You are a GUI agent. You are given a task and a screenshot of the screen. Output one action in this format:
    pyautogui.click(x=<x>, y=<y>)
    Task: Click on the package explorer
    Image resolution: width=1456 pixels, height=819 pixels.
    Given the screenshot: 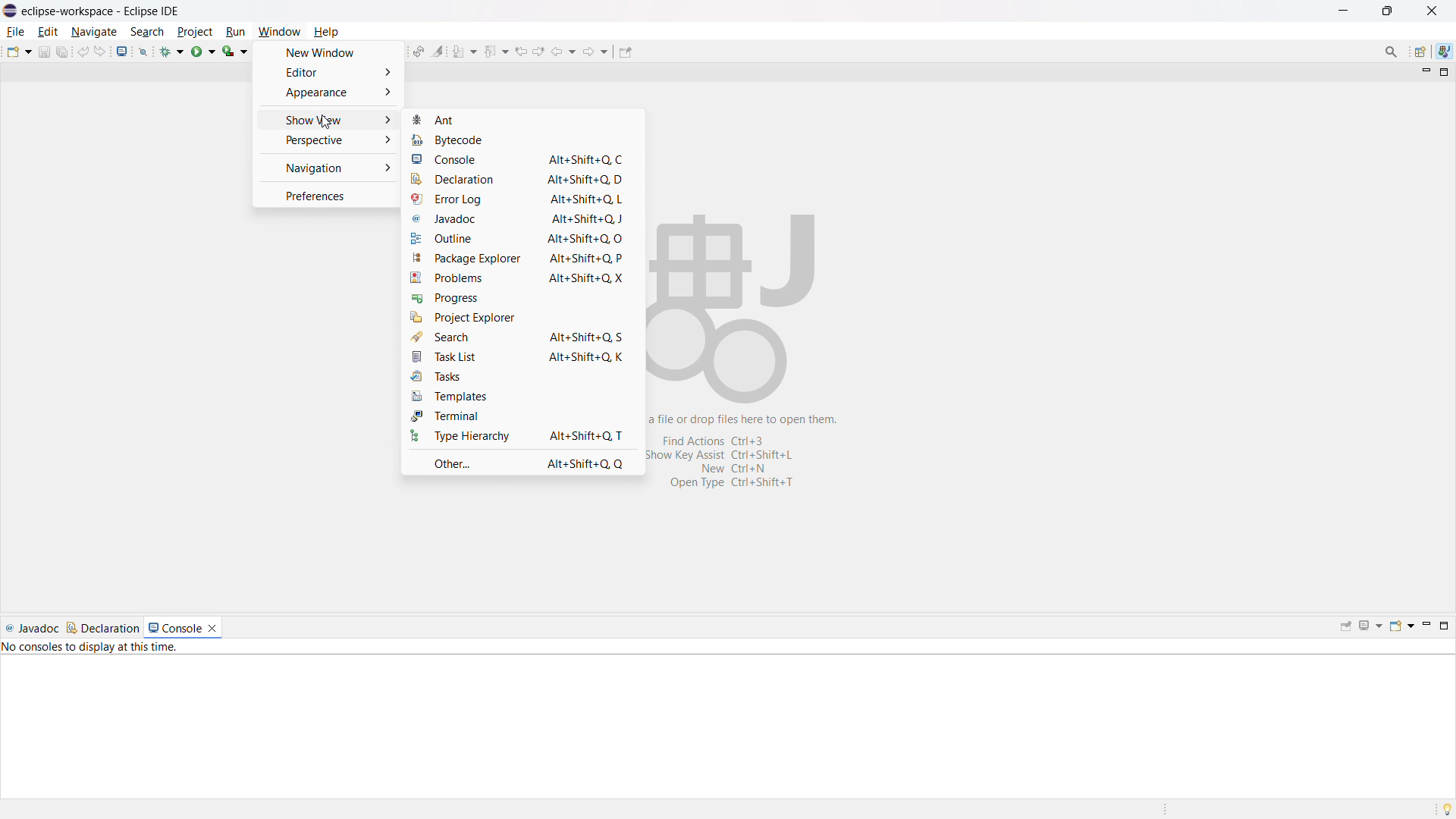 What is the action you would take?
    pyautogui.click(x=521, y=258)
    